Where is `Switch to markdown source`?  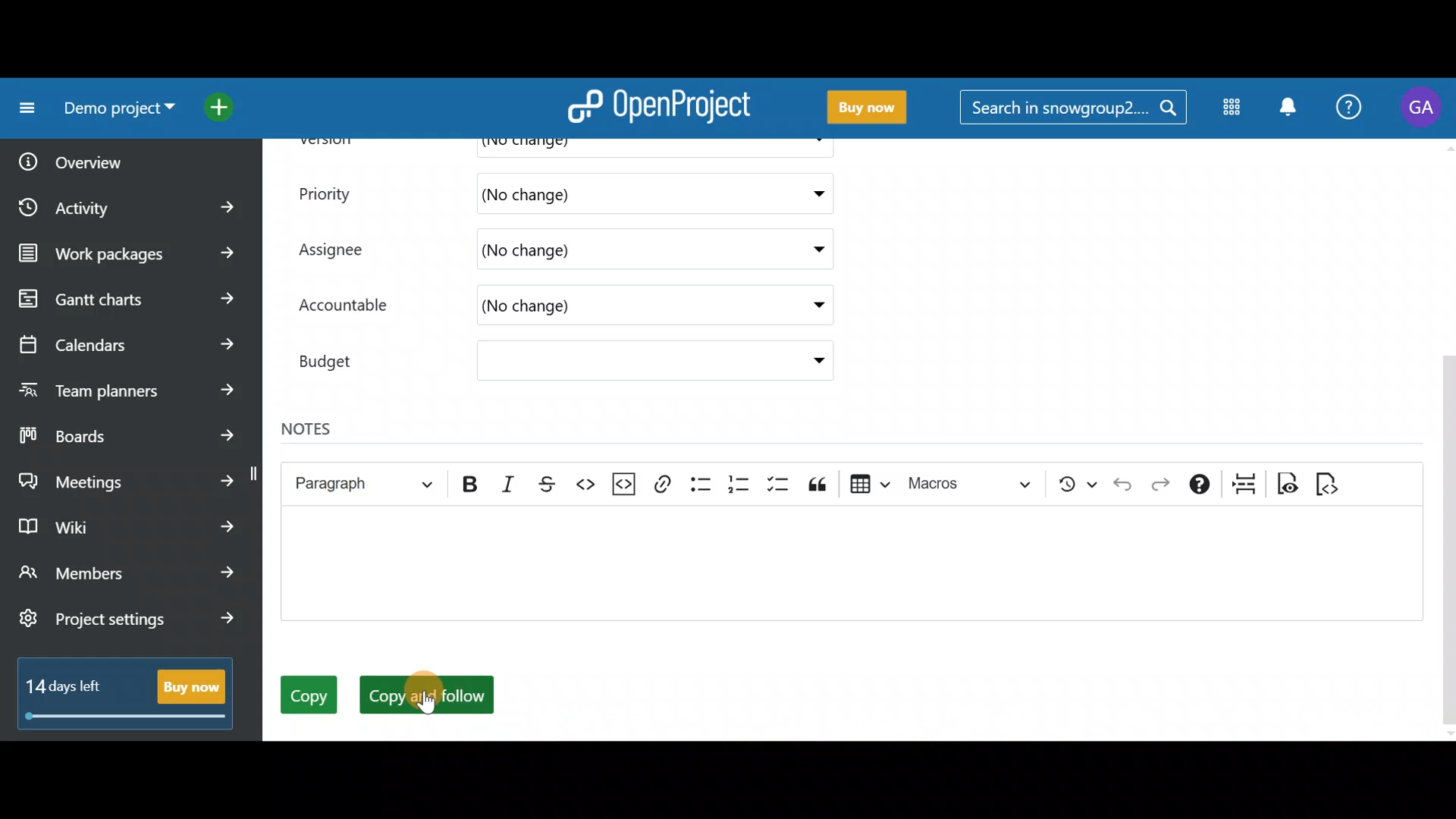 Switch to markdown source is located at coordinates (1336, 485).